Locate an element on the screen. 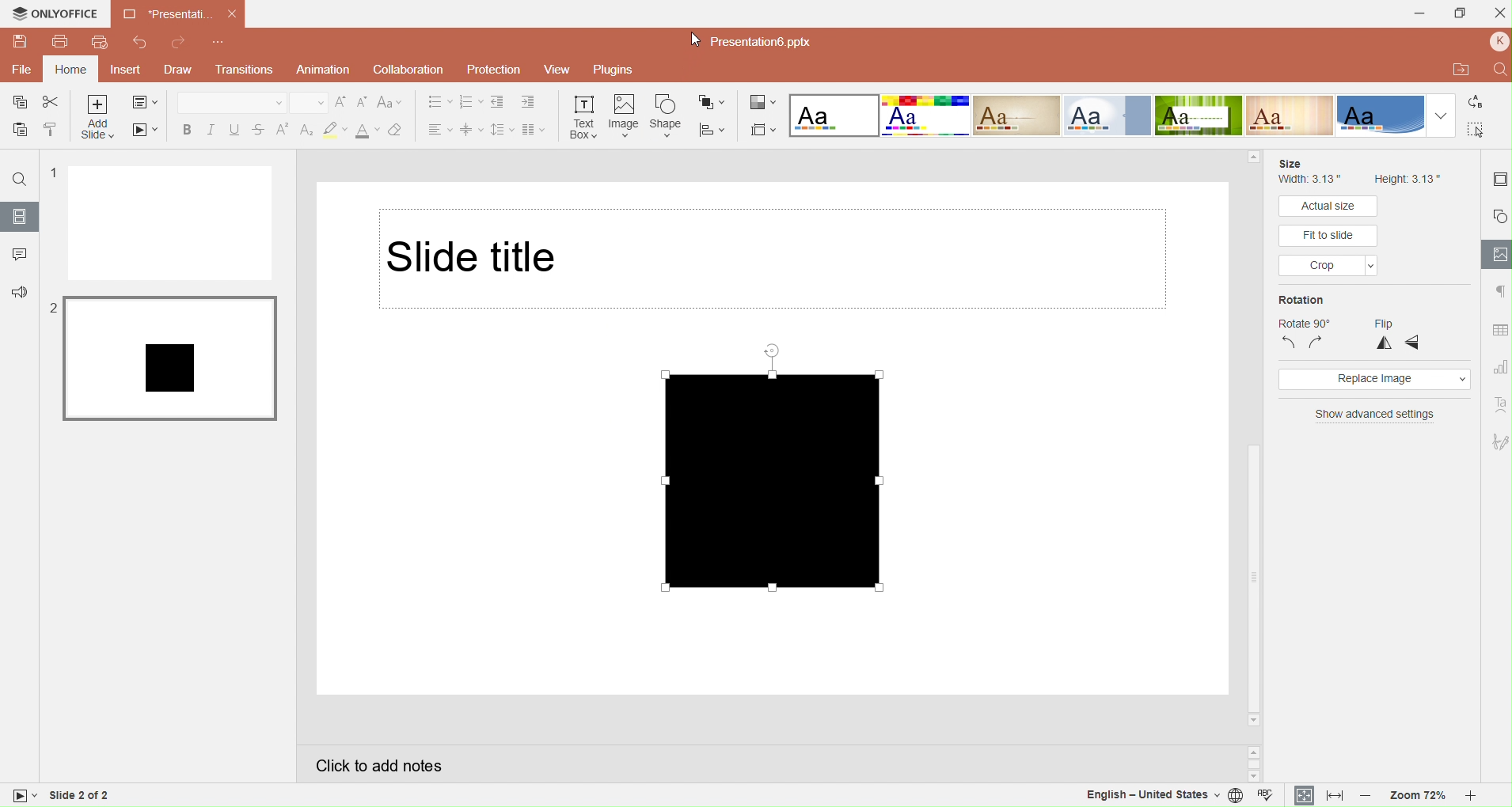  Protection is located at coordinates (493, 70).